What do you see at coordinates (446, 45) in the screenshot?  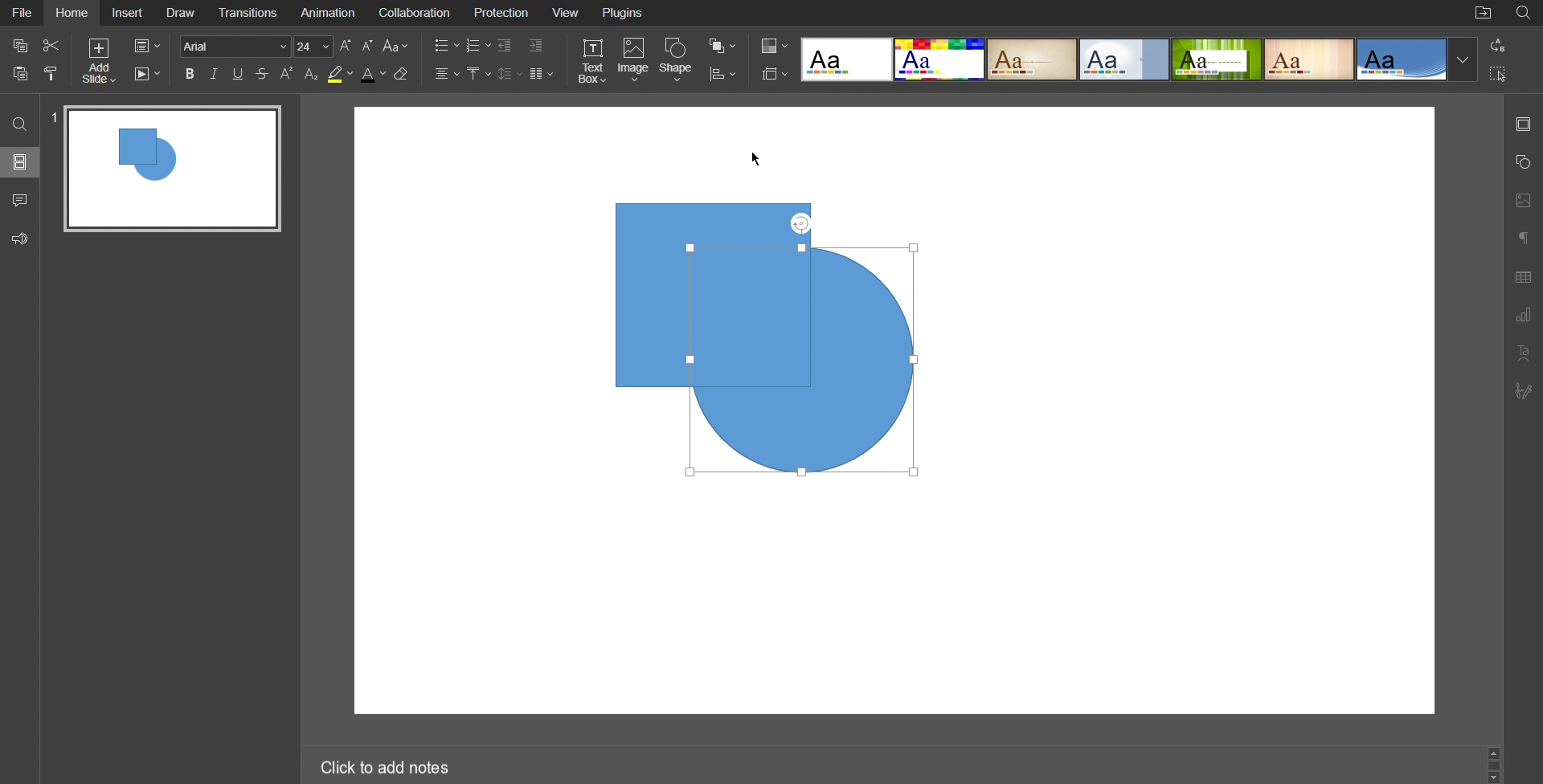 I see `Bullet List` at bounding box center [446, 45].